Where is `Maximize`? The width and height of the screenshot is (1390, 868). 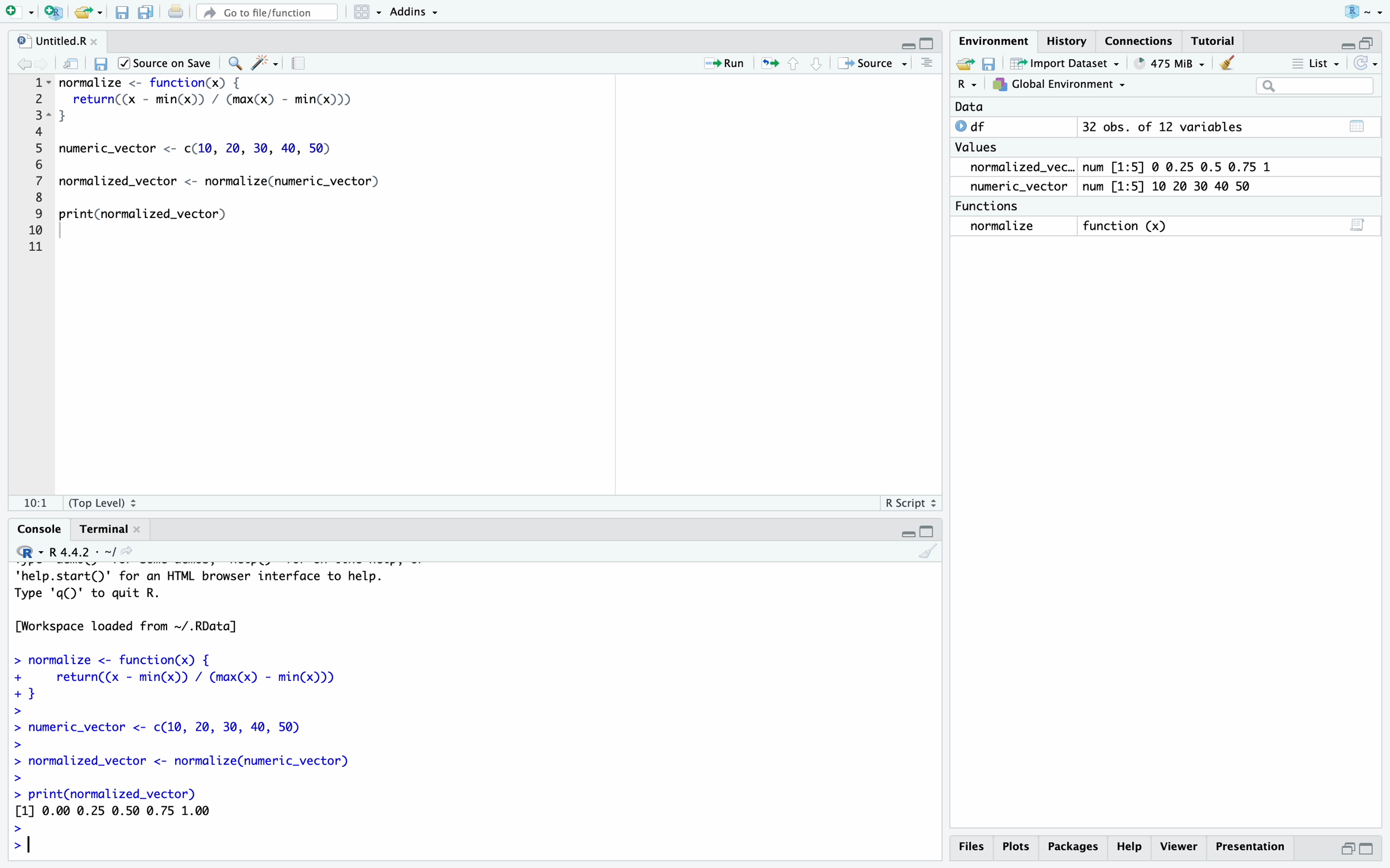
Maximize is located at coordinates (1370, 38).